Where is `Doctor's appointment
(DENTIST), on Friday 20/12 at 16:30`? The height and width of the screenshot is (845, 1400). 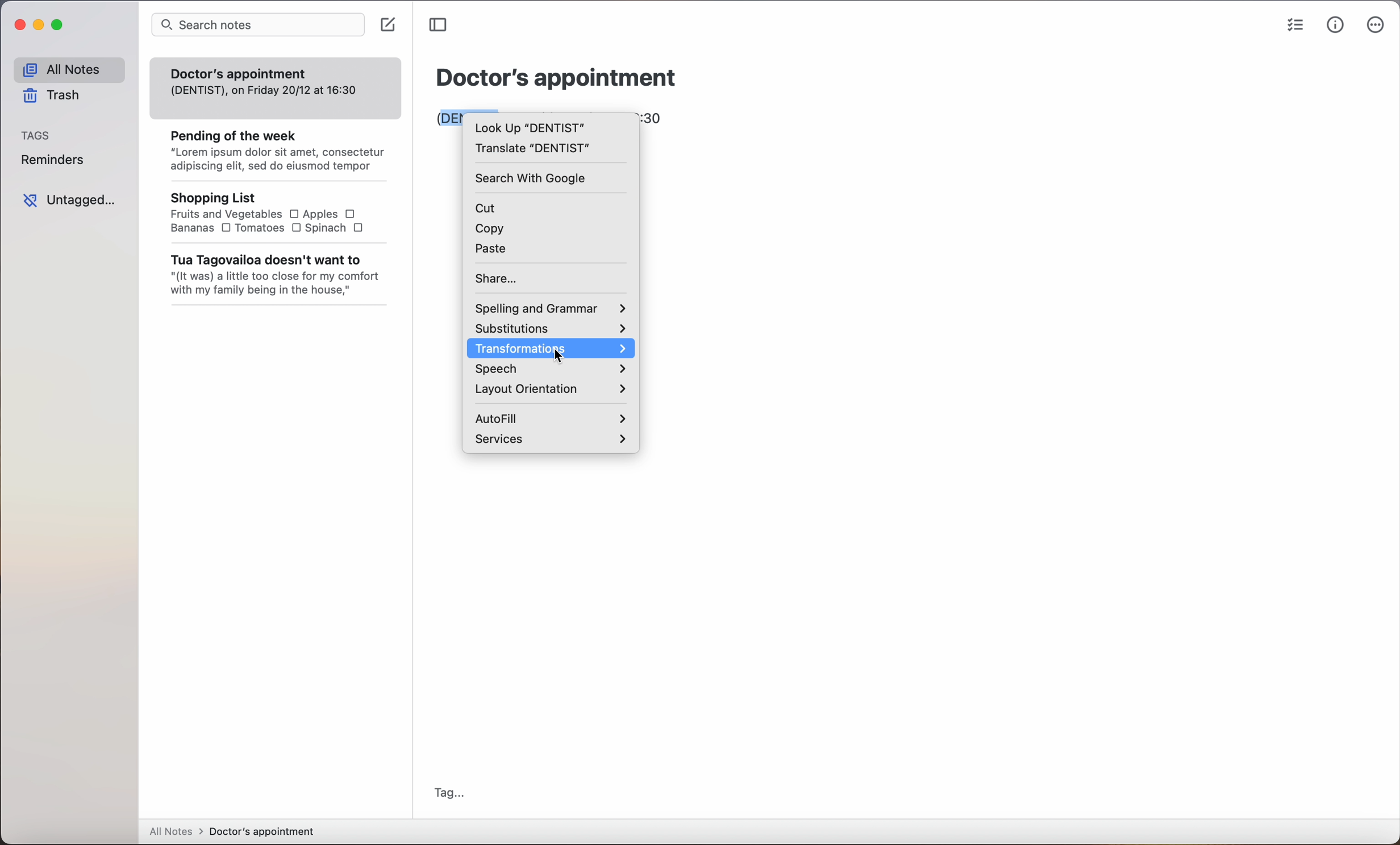
Doctor's appointment
(DENTIST), on Friday 20/12 at 16:30 is located at coordinates (264, 80).